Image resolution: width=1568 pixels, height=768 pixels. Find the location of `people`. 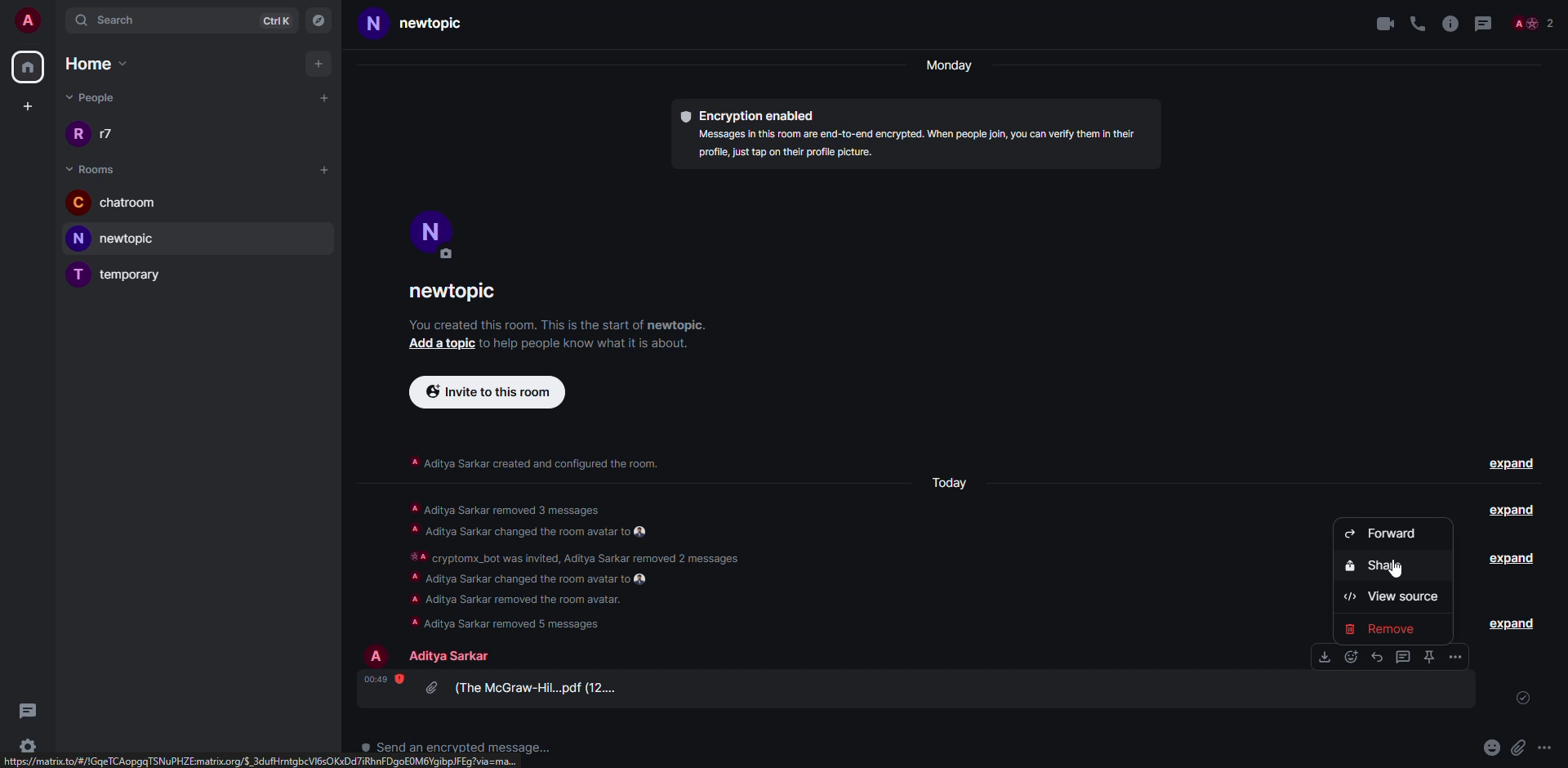

people is located at coordinates (100, 100).